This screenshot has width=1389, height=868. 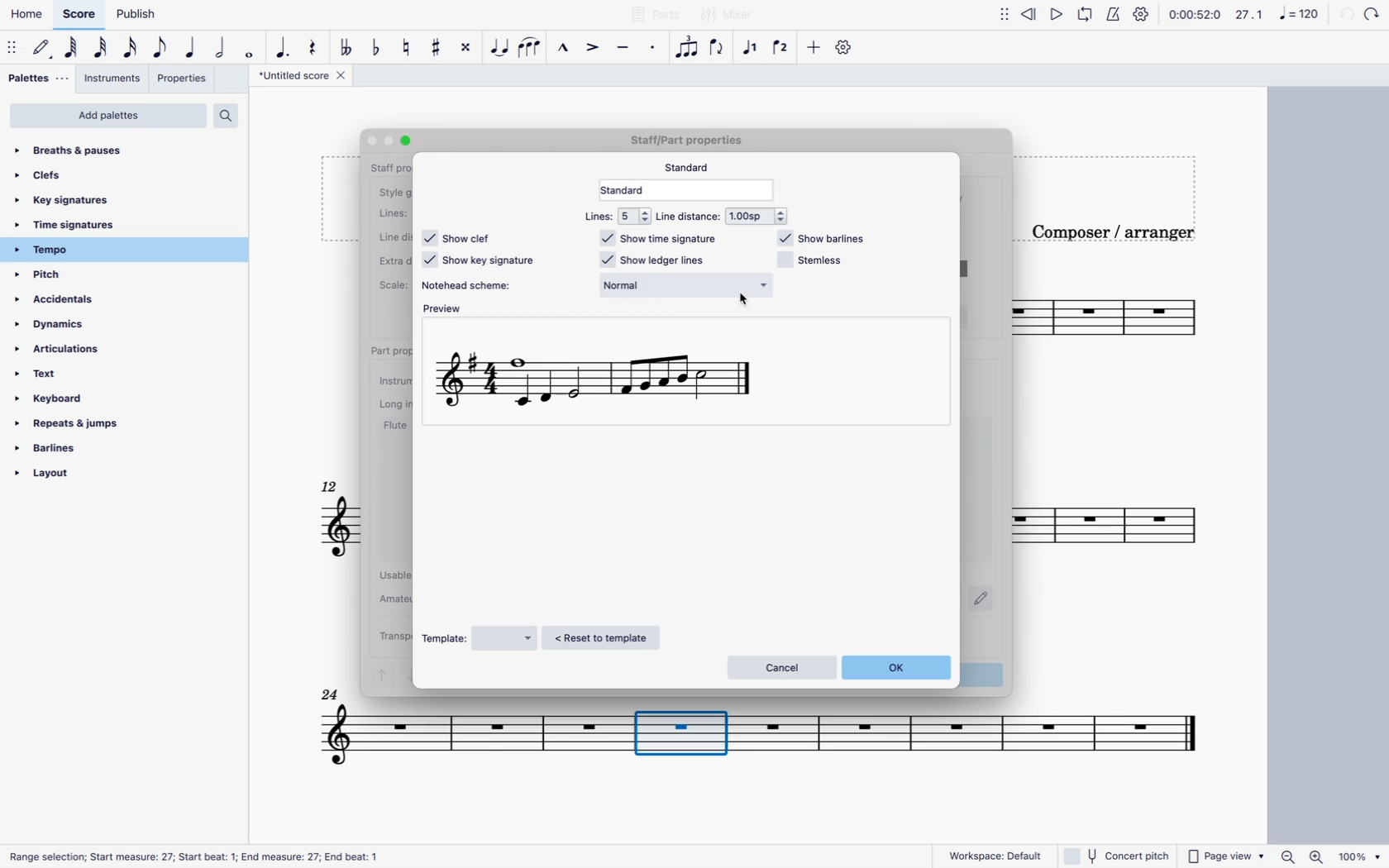 What do you see at coordinates (1377, 16) in the screenshot?
I see `mixer` at bounding box center [1377, 16].